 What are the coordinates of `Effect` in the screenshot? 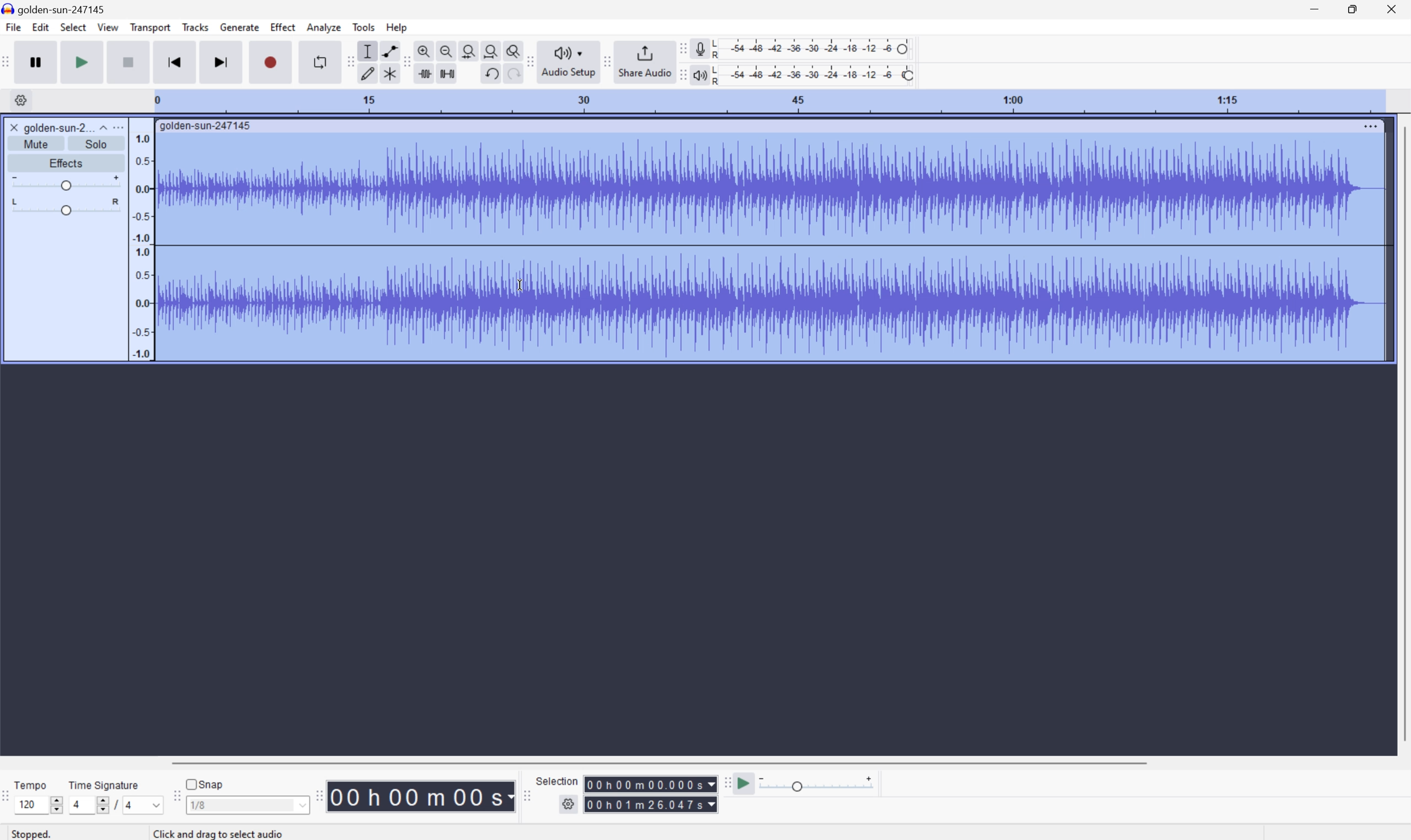 It's located at (283, 26).